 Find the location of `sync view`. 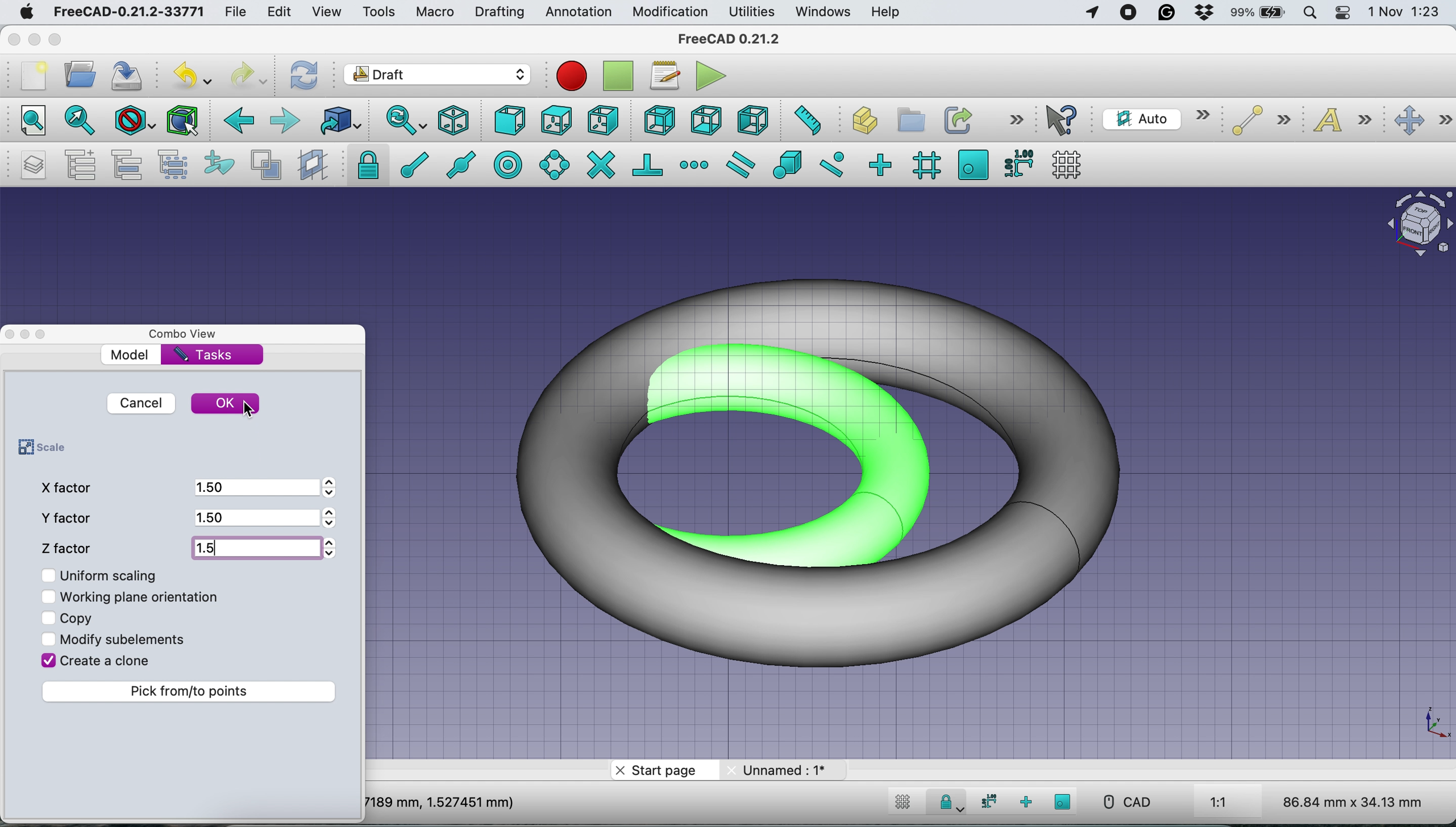

sync view is located at coordinates (405, 120).